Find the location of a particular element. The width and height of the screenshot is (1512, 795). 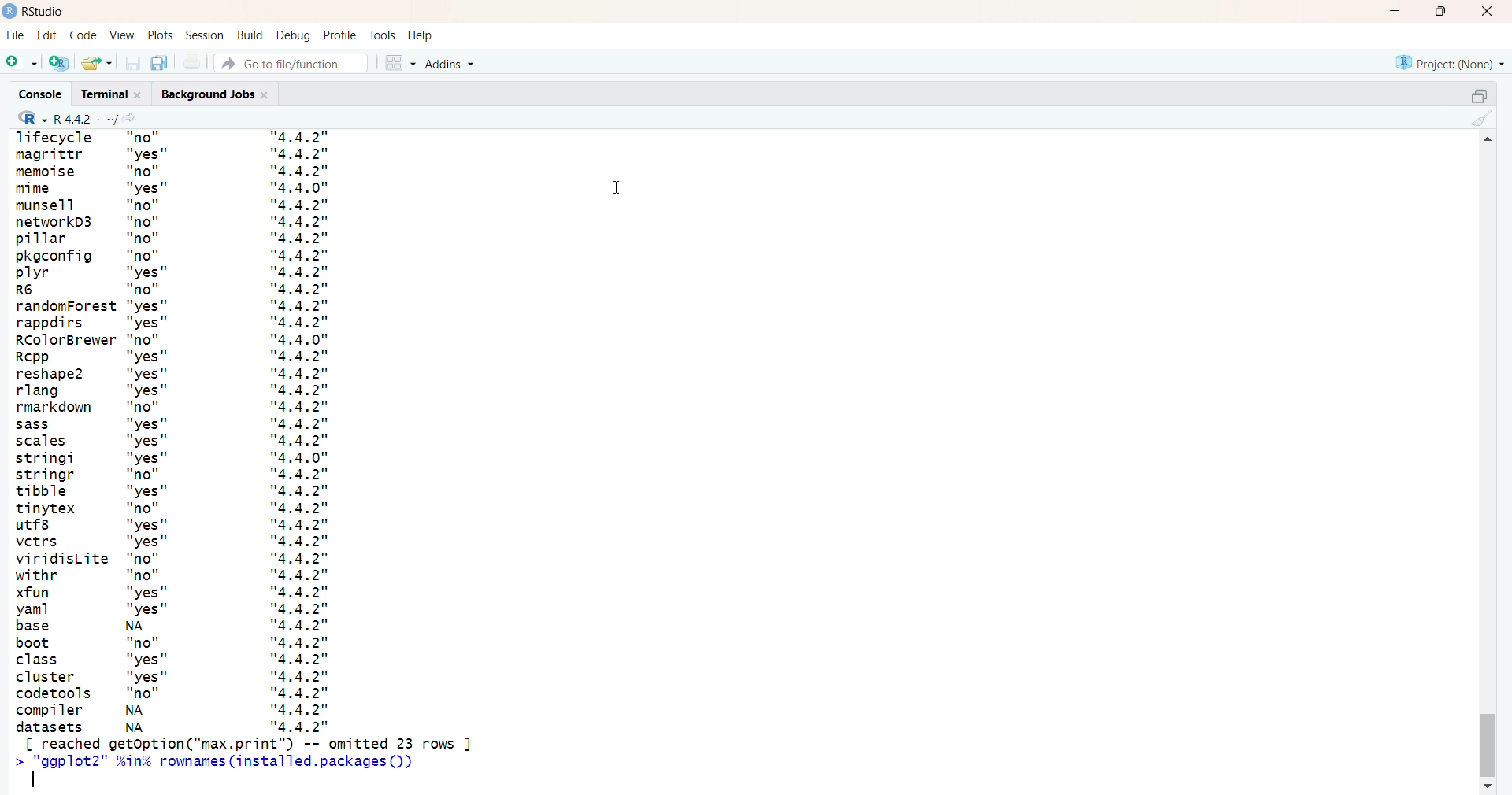

view the current working directory is located at coordinates (130, 120).